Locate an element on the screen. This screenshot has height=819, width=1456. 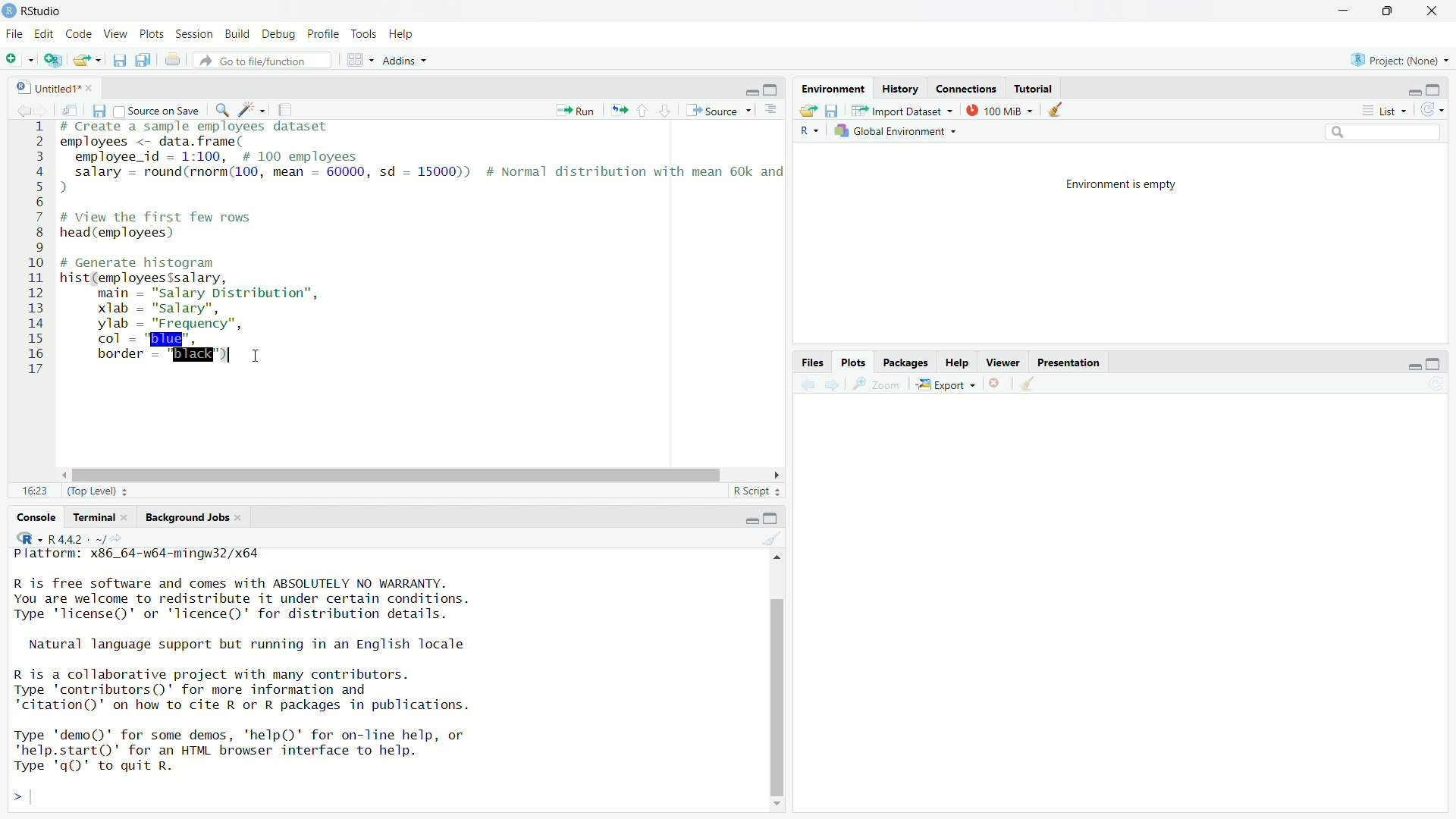
# View the first few rows head (employees) is located at coordinates (158, 227).